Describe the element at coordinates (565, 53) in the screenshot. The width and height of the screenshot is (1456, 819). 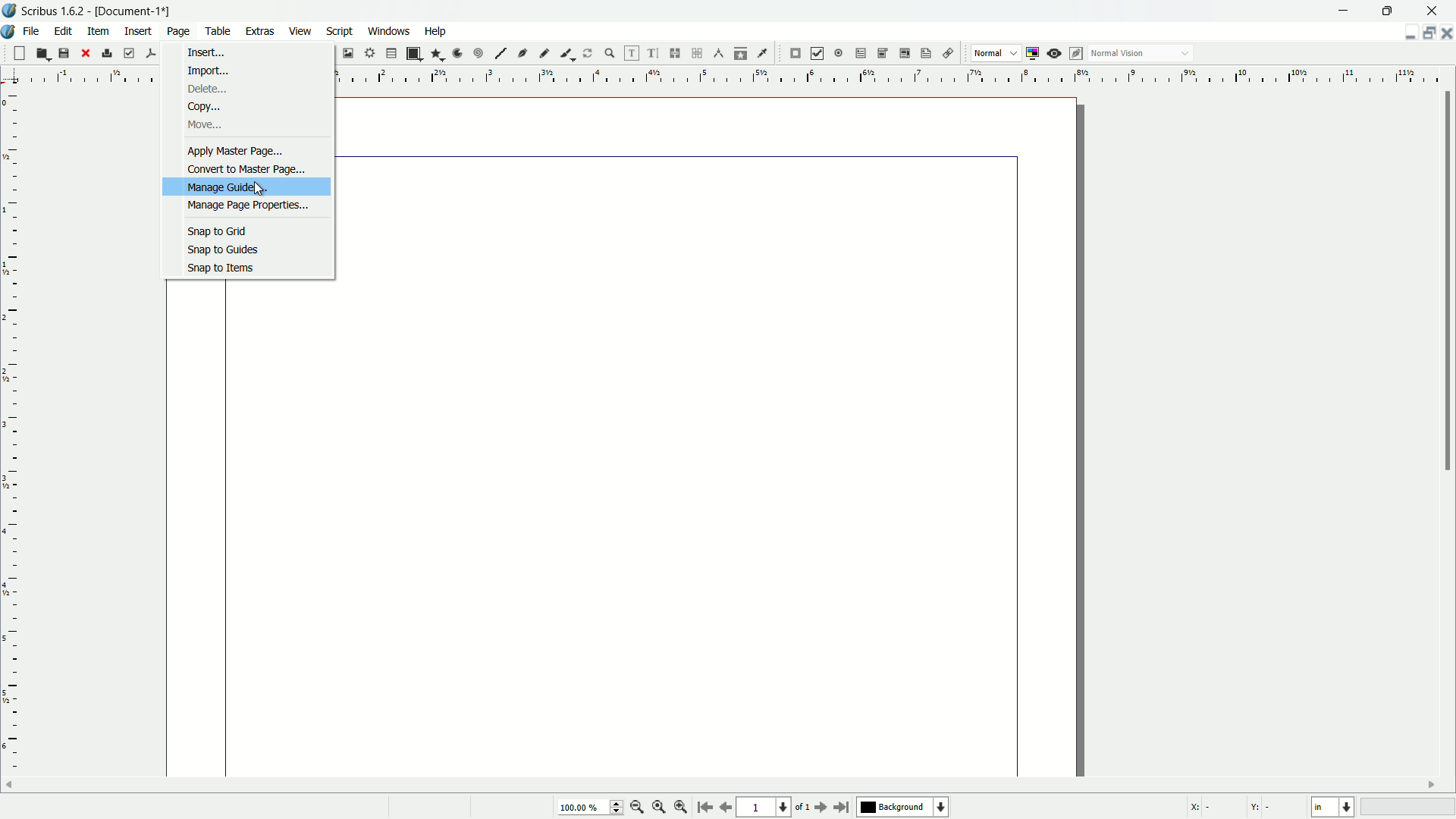
I see `calligraphic item` at that location.